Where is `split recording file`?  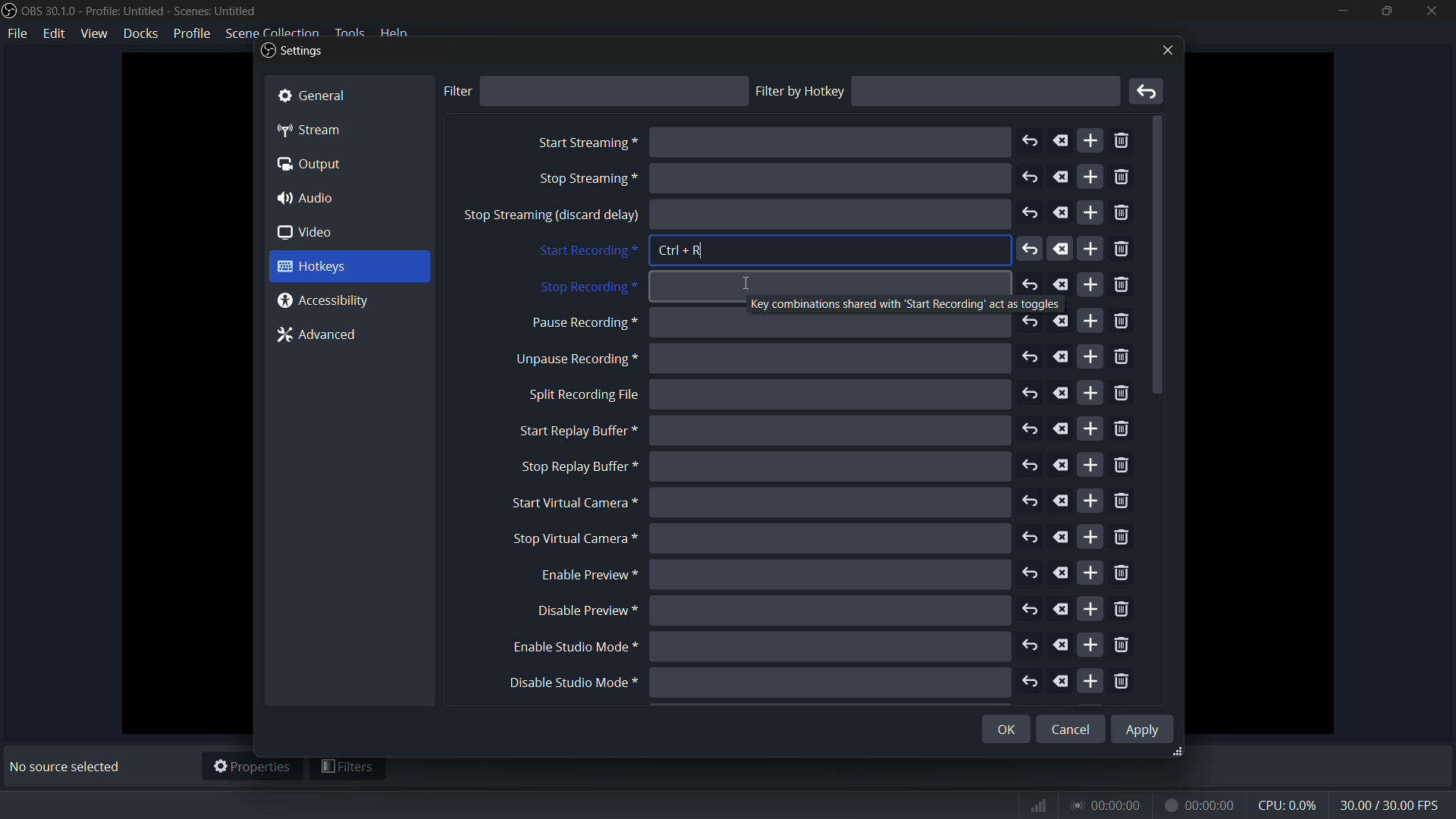 split recording file is located at coordinates (583, 395).